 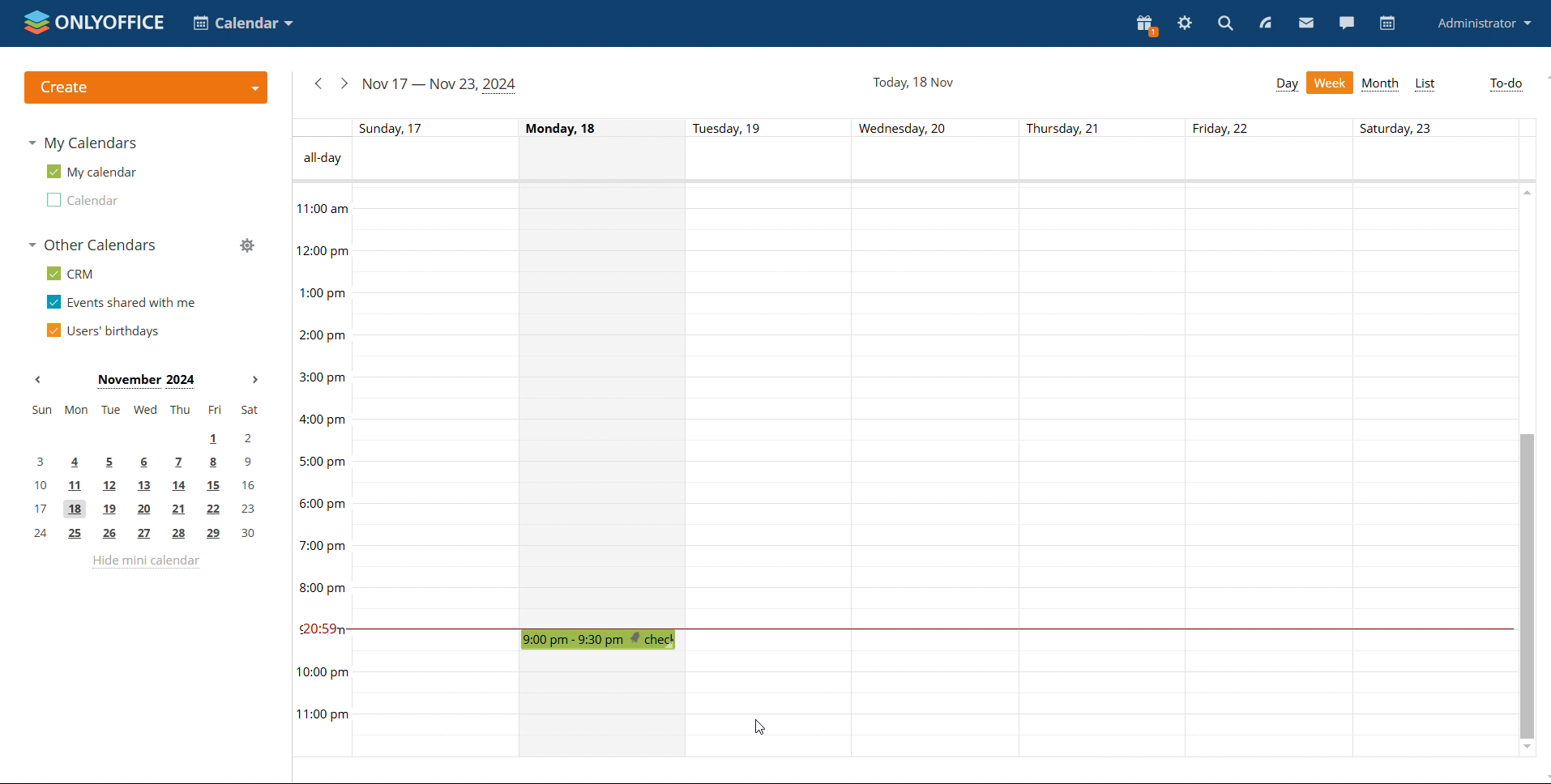 I want to click on manage, so click(x=247, y=244).